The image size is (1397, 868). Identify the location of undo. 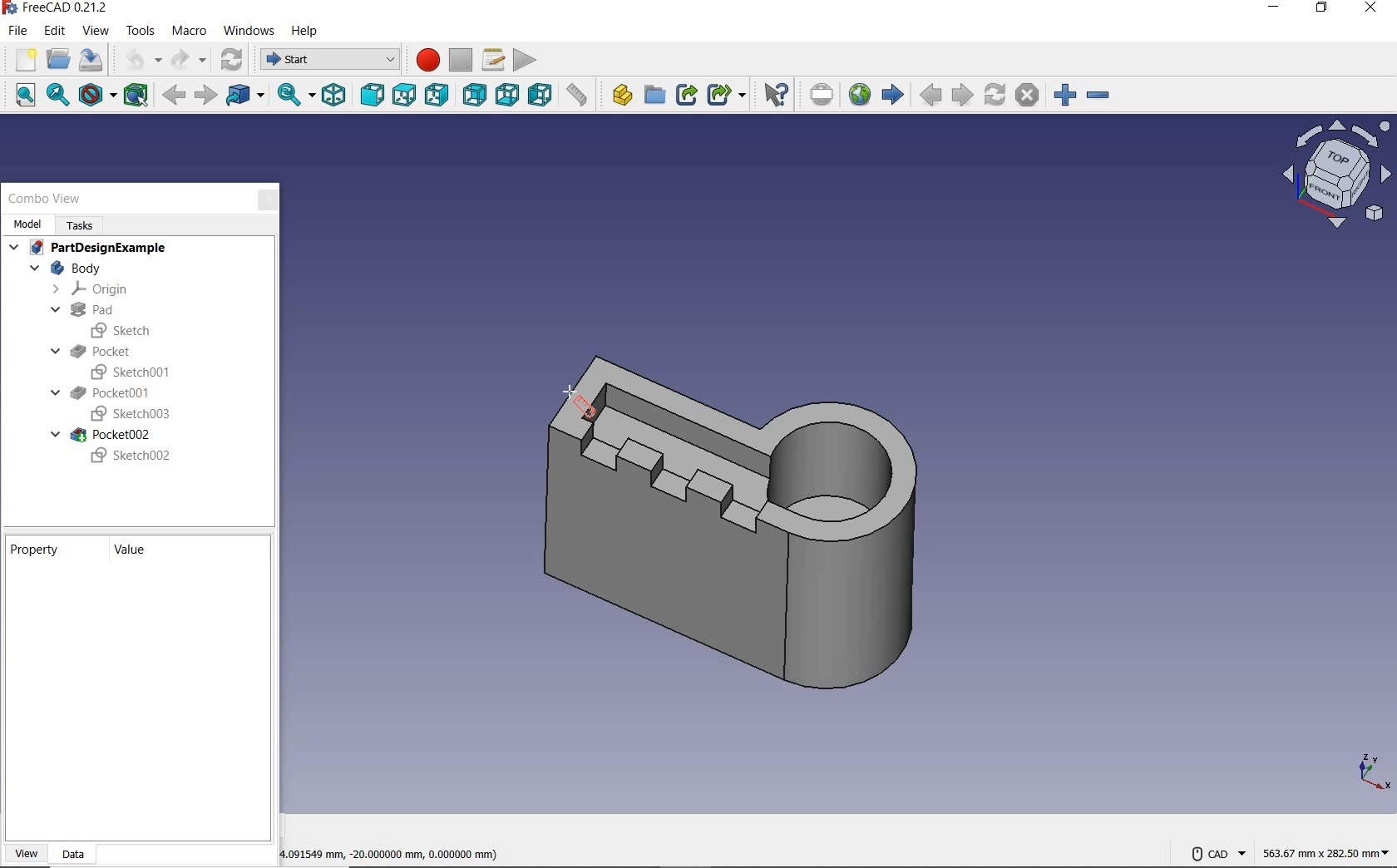
(137, 62).